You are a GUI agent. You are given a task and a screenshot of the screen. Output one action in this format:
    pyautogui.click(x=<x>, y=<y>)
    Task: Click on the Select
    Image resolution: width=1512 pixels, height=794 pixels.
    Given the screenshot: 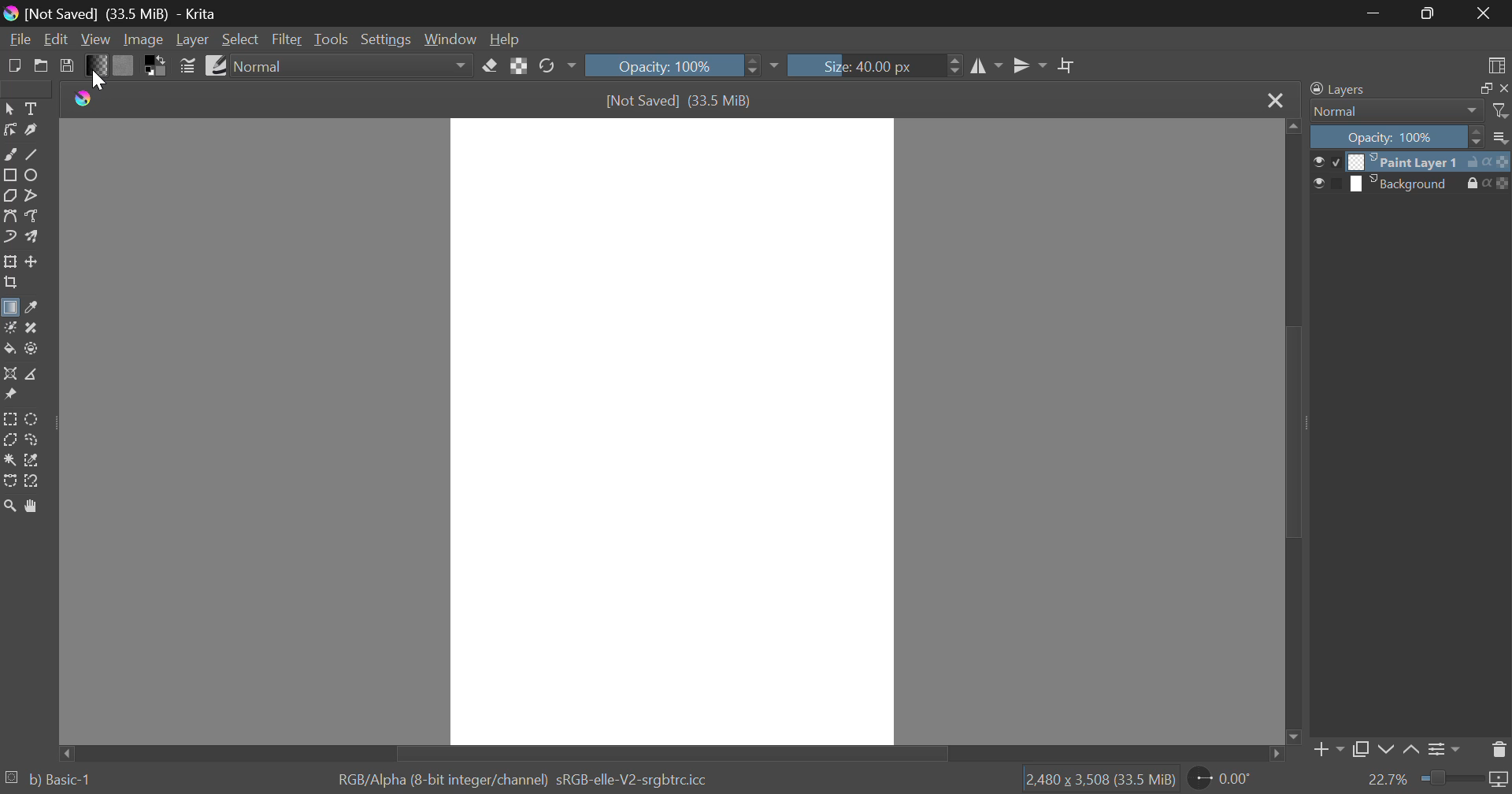 What is the action you would take?
    pyautogui.click(x=9, y=107)
    